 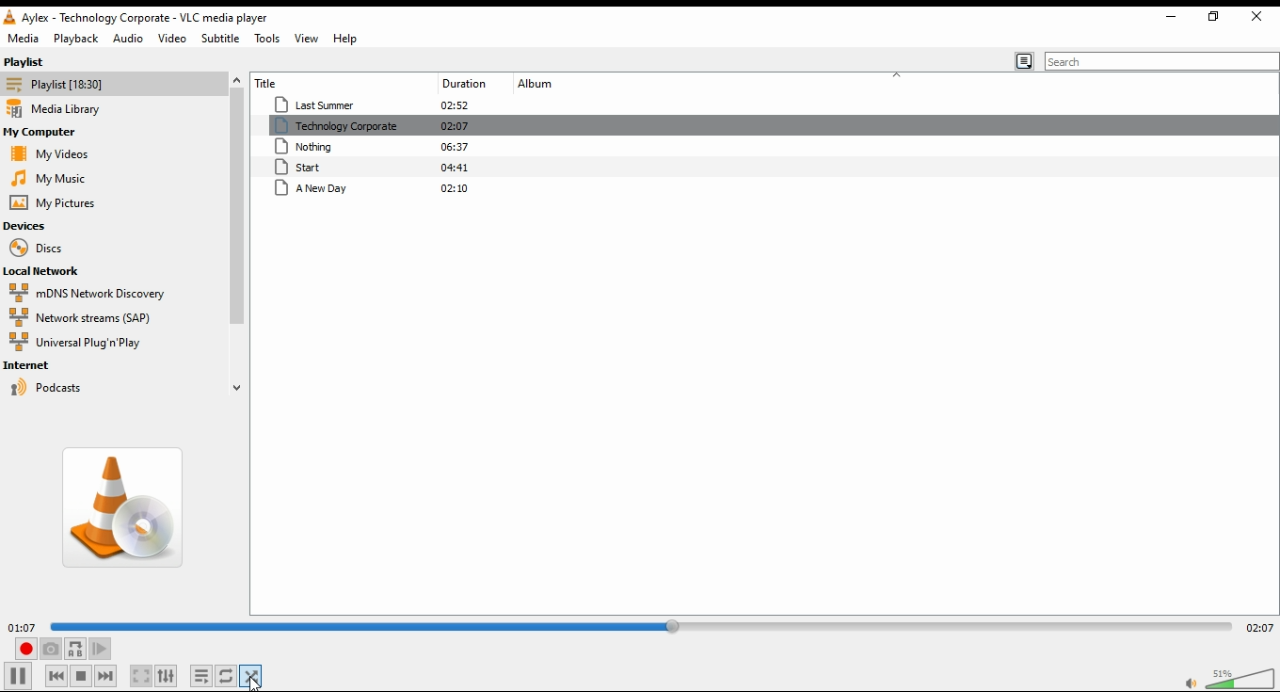 What do you see at coordinates (26, 649) in the screenshot?
I see `record` at bounding box center [26, 649].